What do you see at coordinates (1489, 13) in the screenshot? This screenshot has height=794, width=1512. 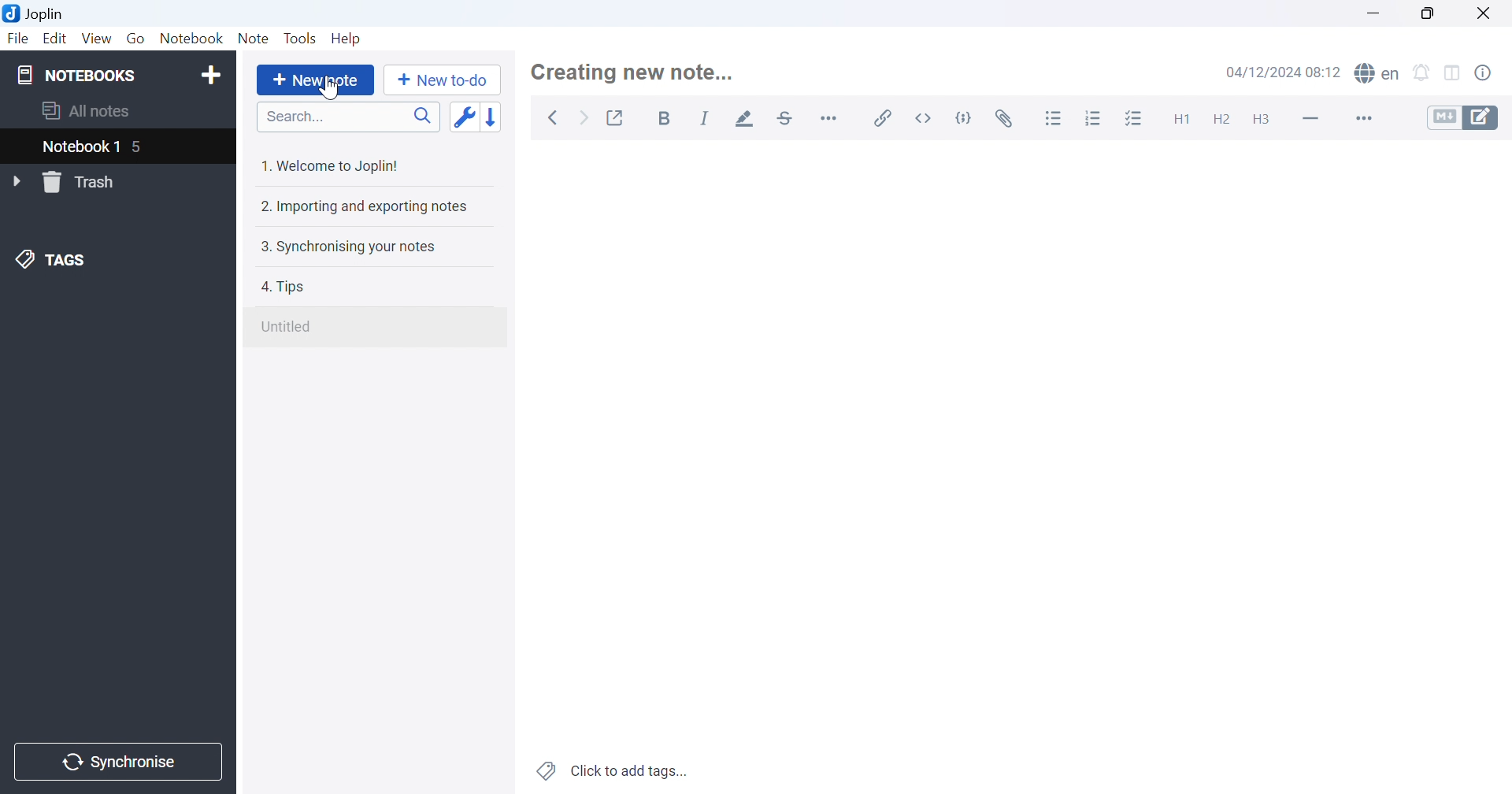 I see `Close` at bounding box center [1489, 13].